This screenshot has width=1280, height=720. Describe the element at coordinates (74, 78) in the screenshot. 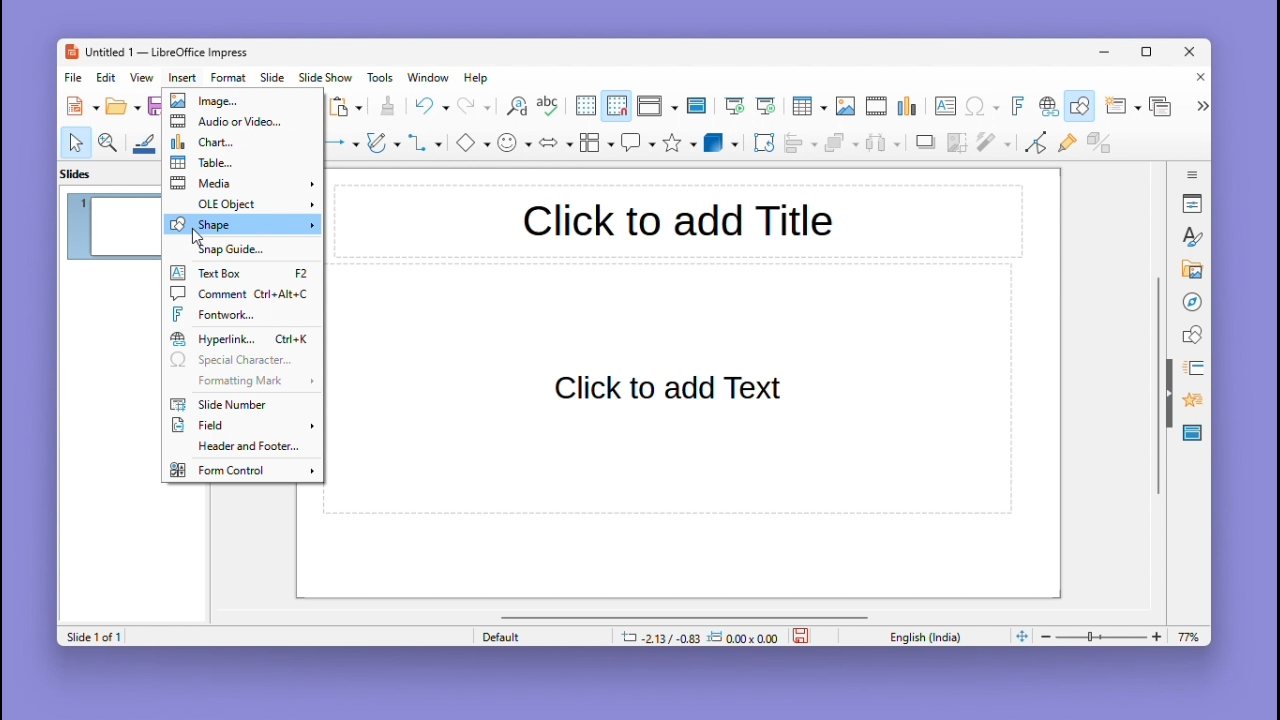

I see `File` at that location.